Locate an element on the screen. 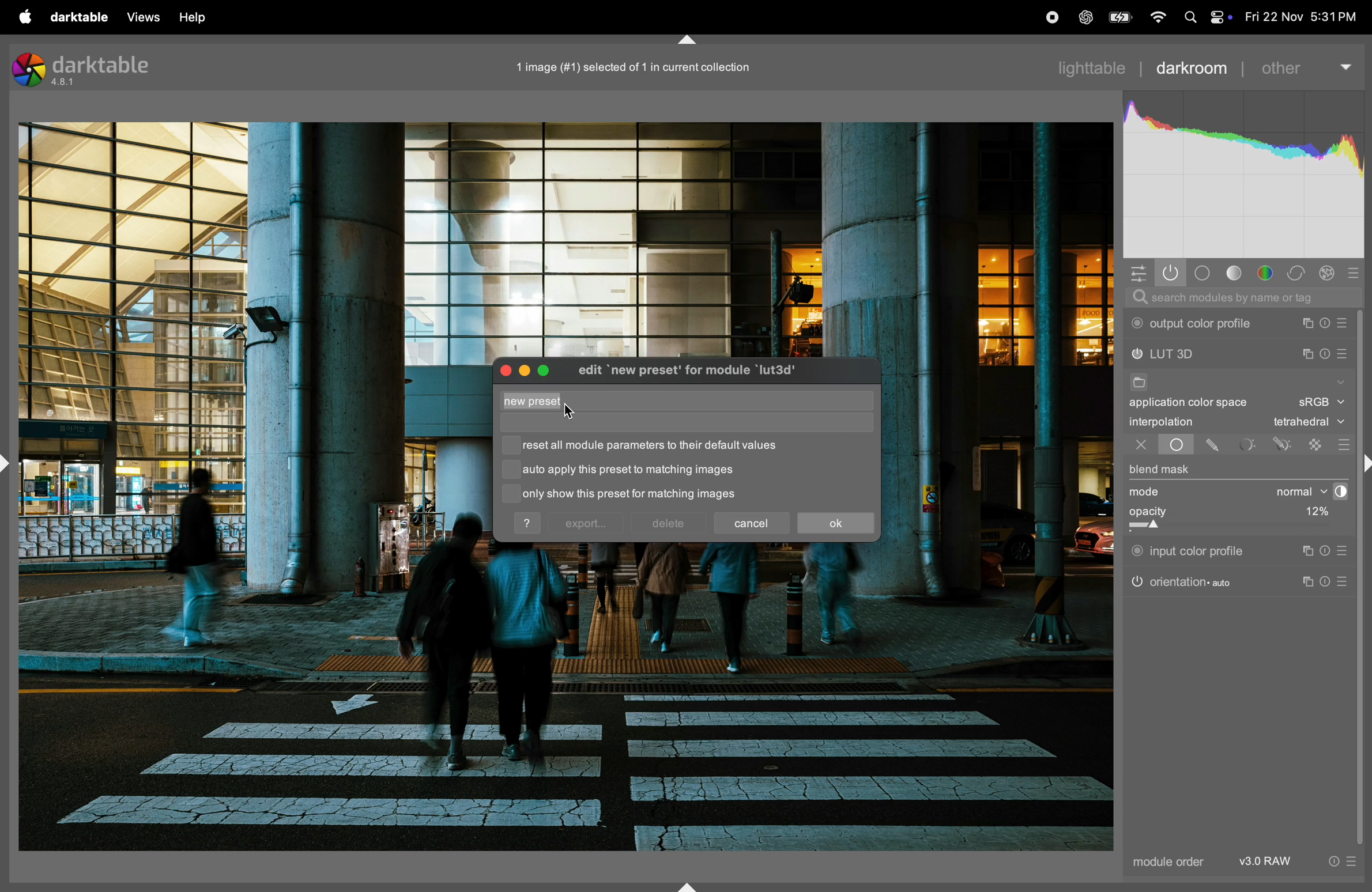 The image size is (1372, 892). edit new presets is located at coordinates (701, 372).